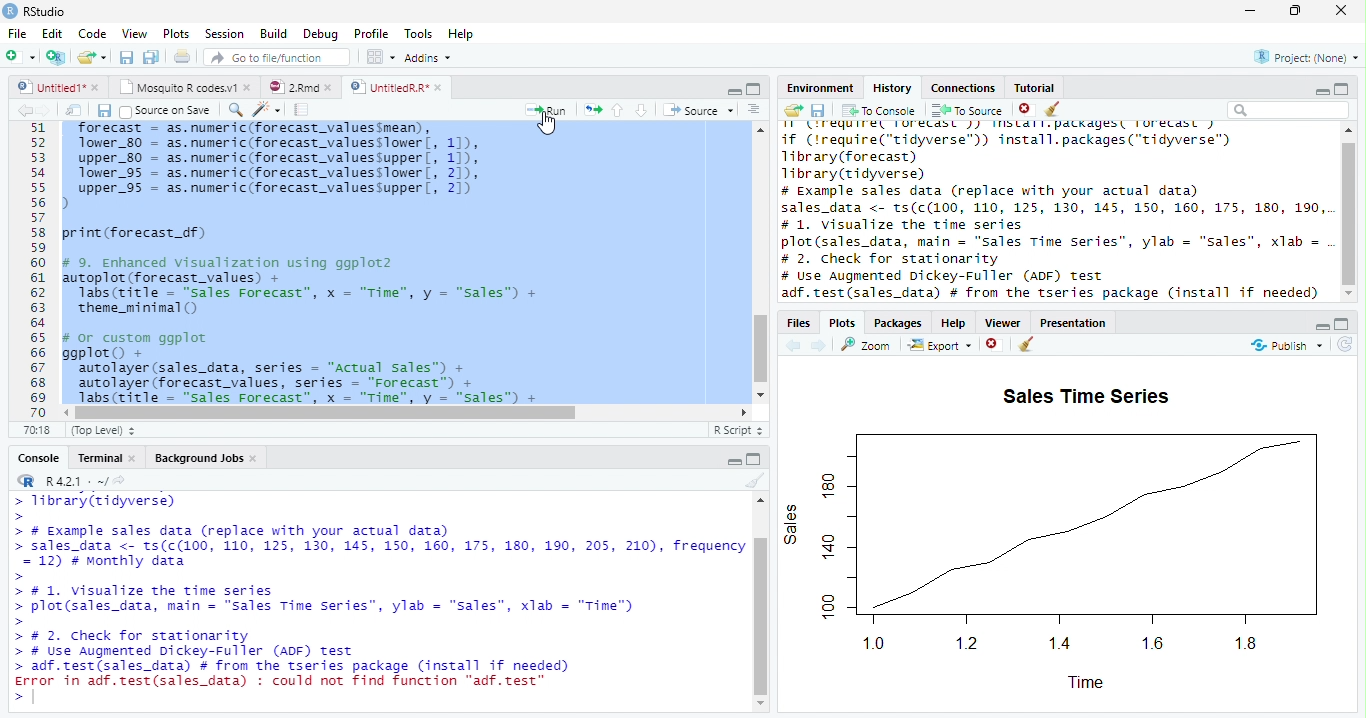 The height and width of the screenshot is (718, 1366). What do you see at coordinates (1252, 10) in the screenshot?
I see `Minimize` at bounding box center [1252, 10].